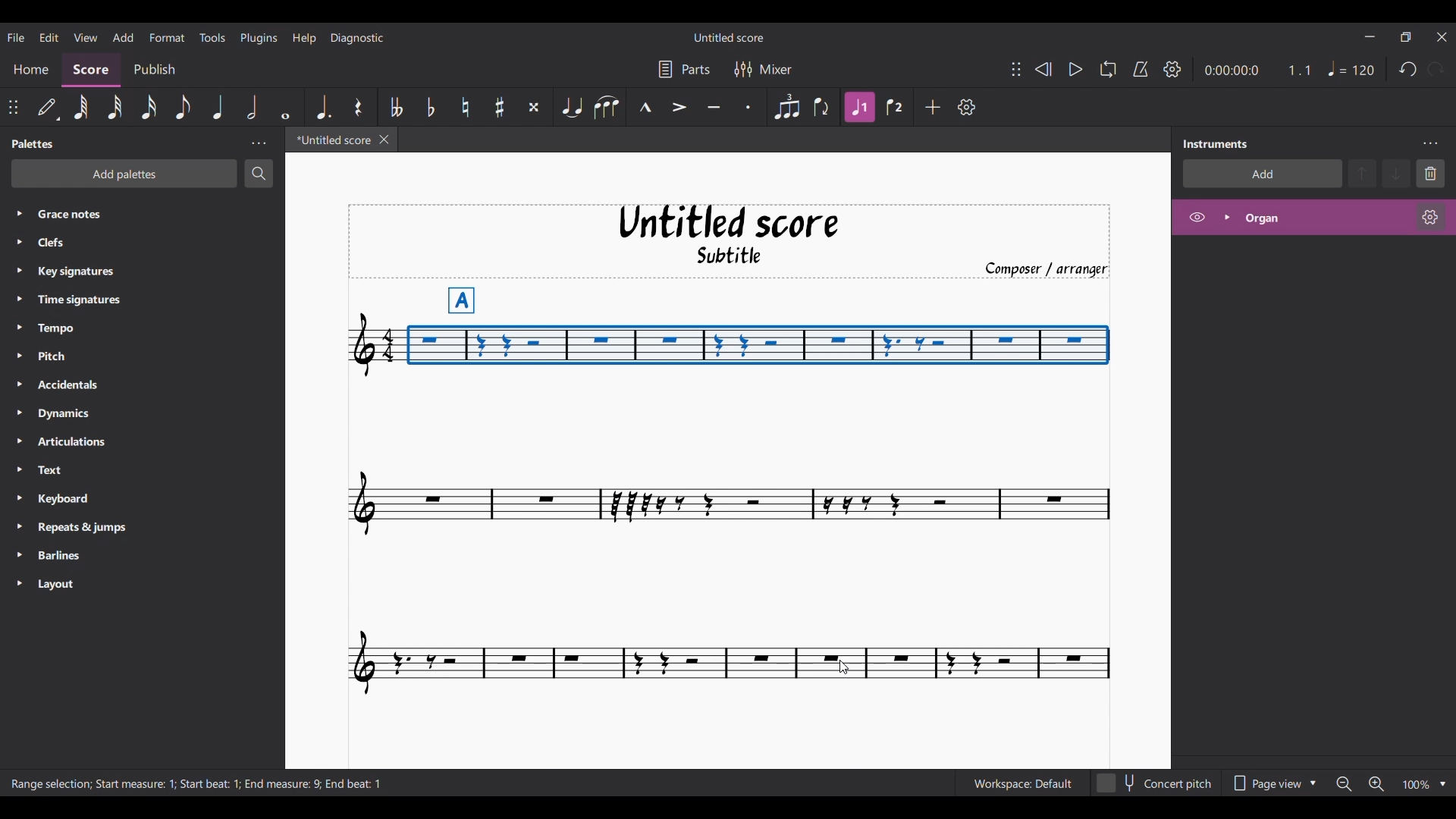 The width and height of the screenshot is (1456, 819). I want to click on 32nd note, so click(113, 107).